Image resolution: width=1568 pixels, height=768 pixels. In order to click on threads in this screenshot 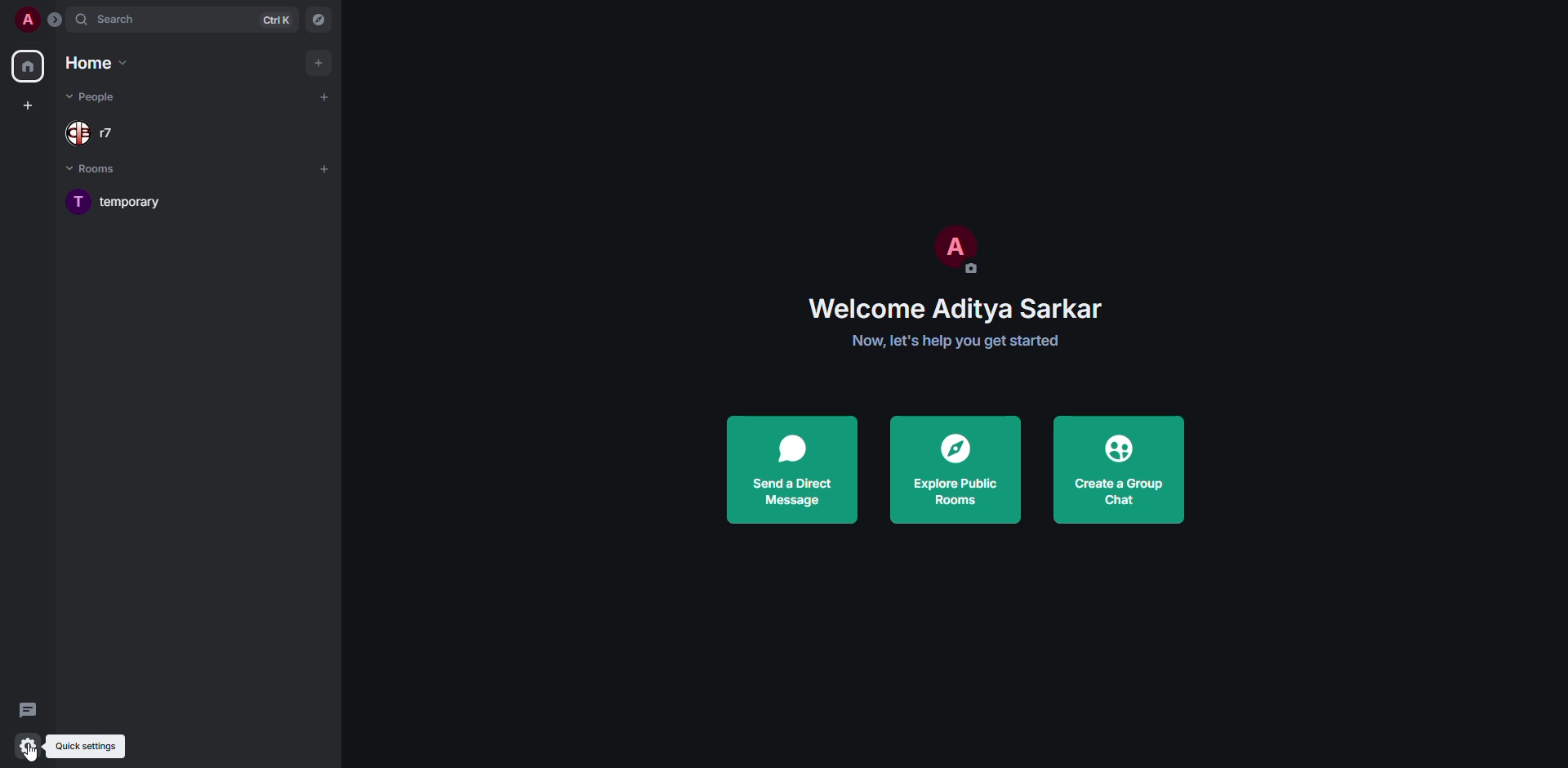, I will do `click(28, 710)`.